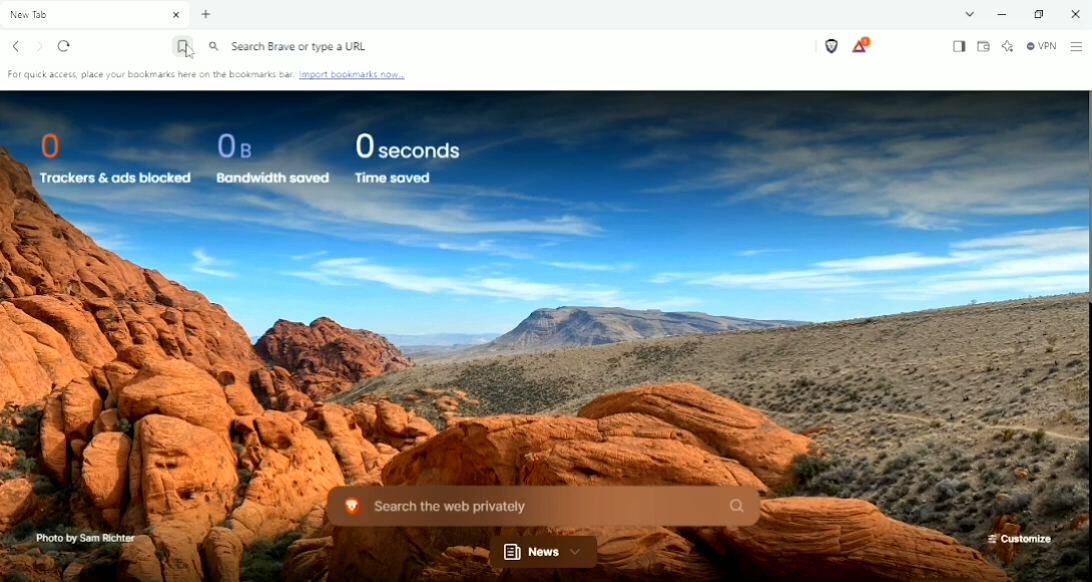  I want to click on Cursor, so click(189, 55).